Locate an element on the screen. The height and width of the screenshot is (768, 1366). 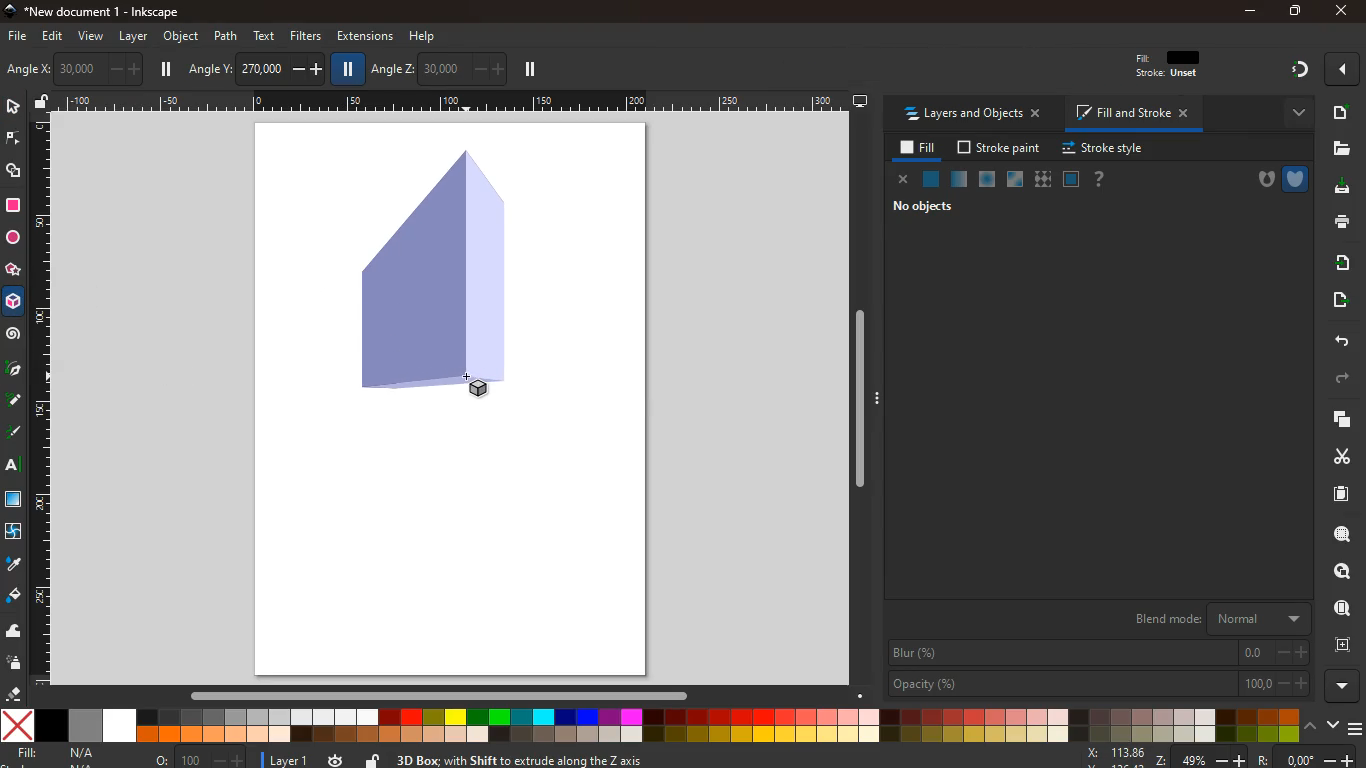
frame is located at coordinates (1342, 645).